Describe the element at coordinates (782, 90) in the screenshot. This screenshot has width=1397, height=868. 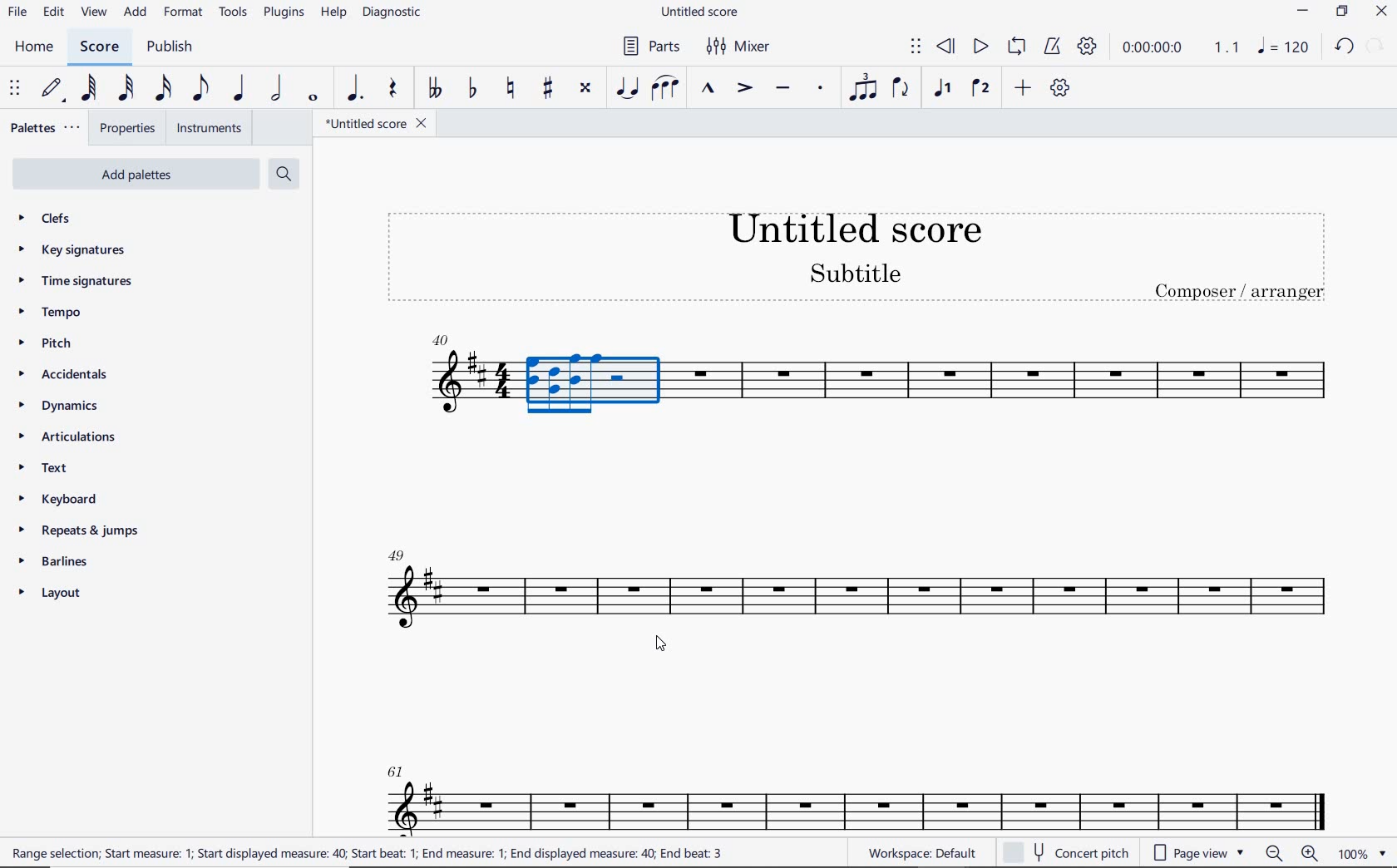
I see `TENUTO` at that location.